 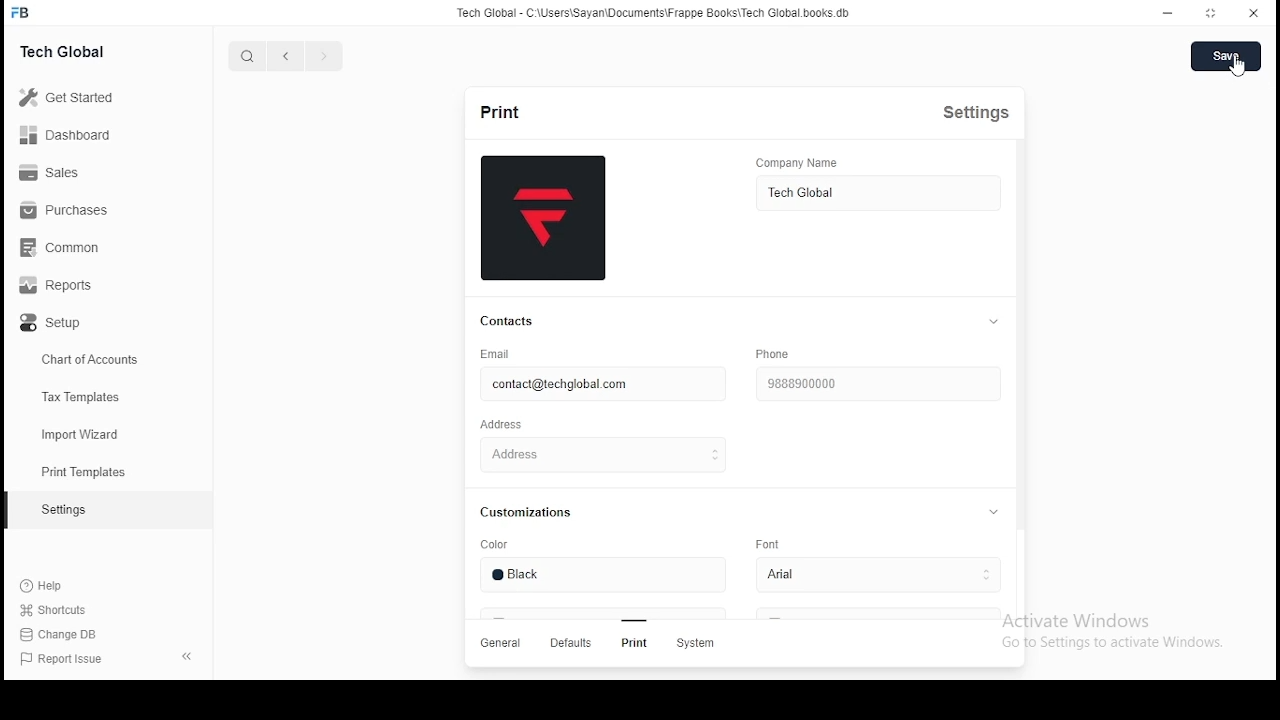 I want to click on hide sidebar, so click(x=187, y=656).